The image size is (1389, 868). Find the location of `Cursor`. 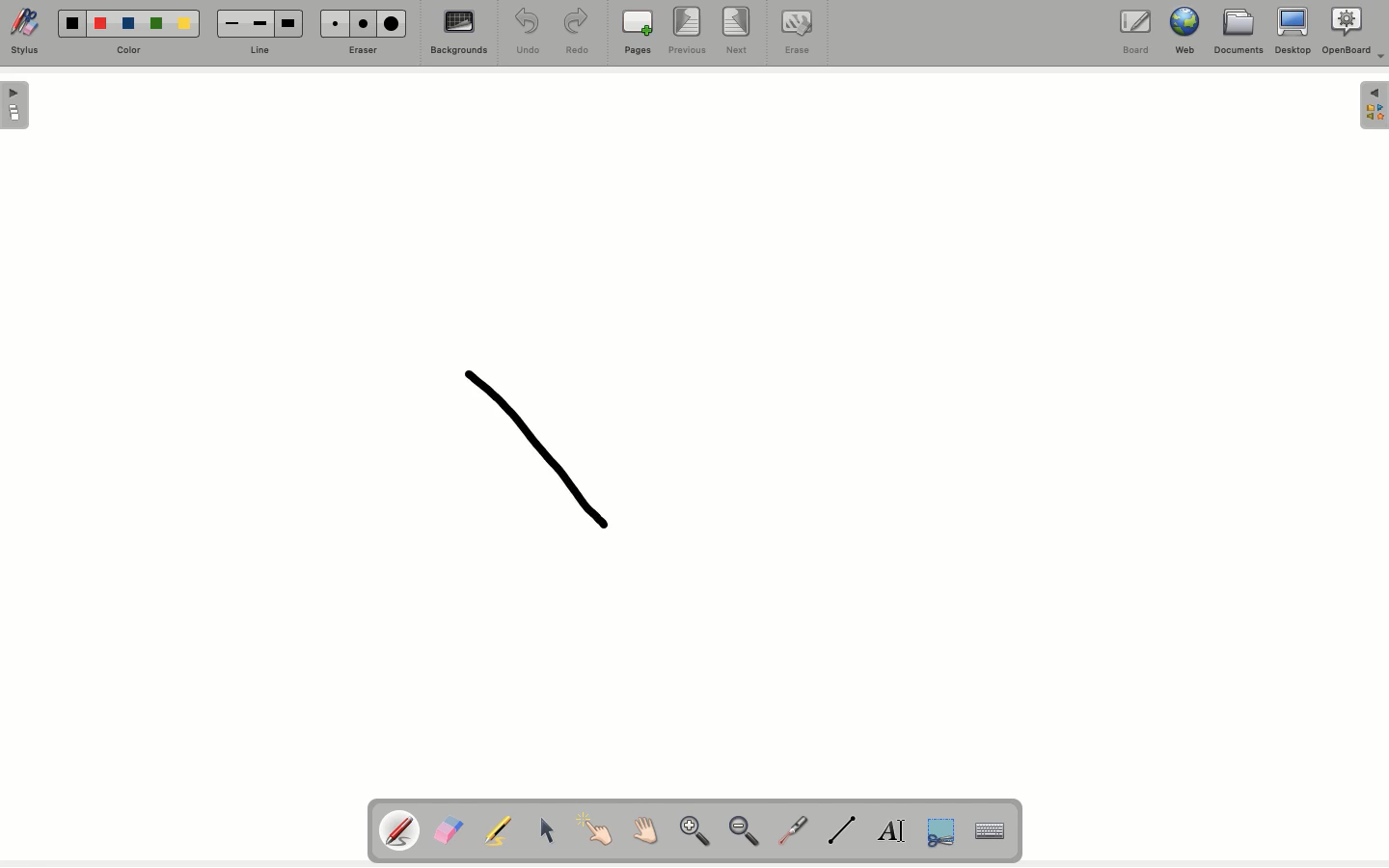

Cursor is located at coordinates (545, 827).